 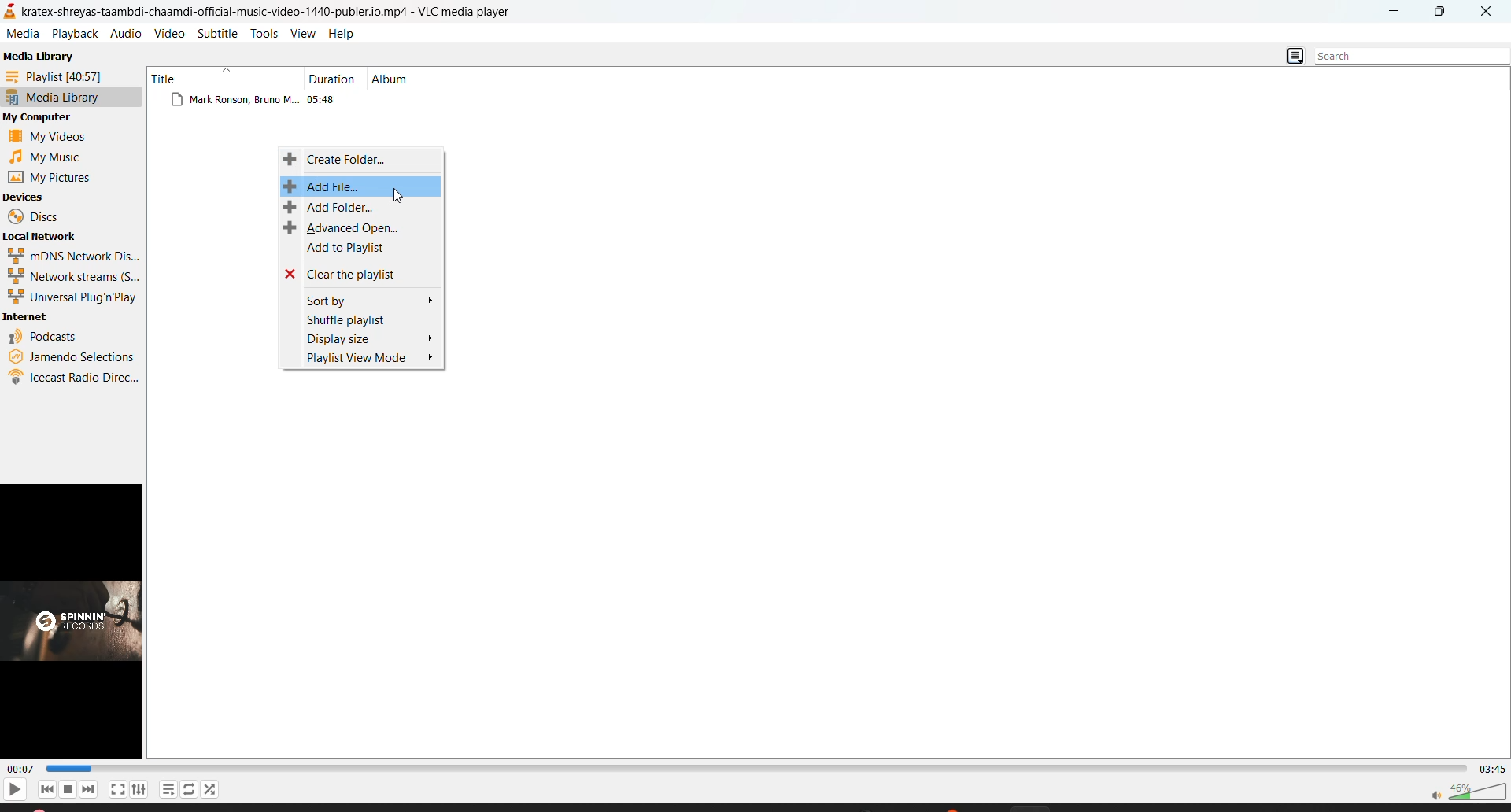 I want to click on playlist, so click(x=166, y=791).